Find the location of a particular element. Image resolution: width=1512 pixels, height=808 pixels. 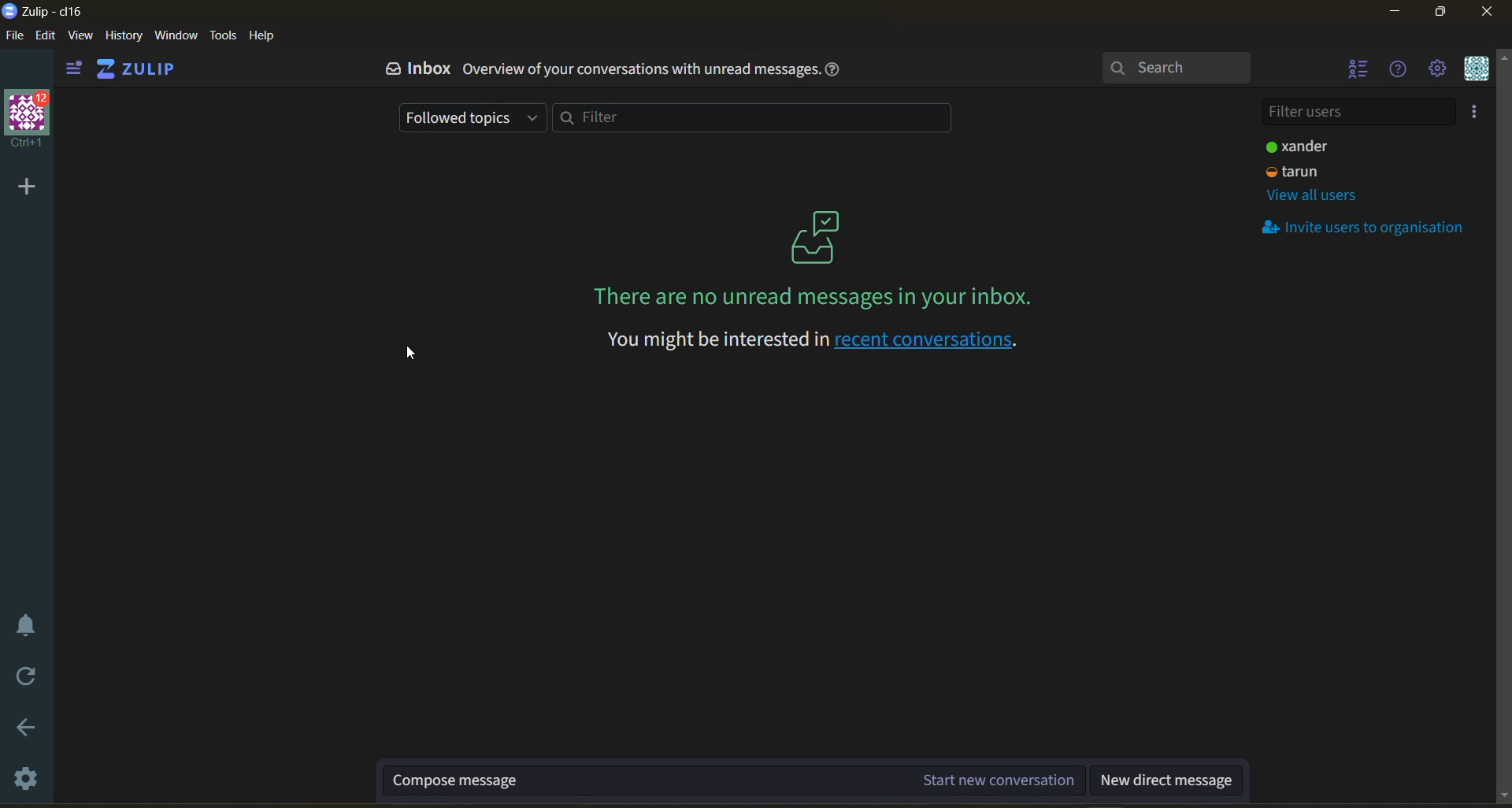

go back is located at coordinates (28, 728).